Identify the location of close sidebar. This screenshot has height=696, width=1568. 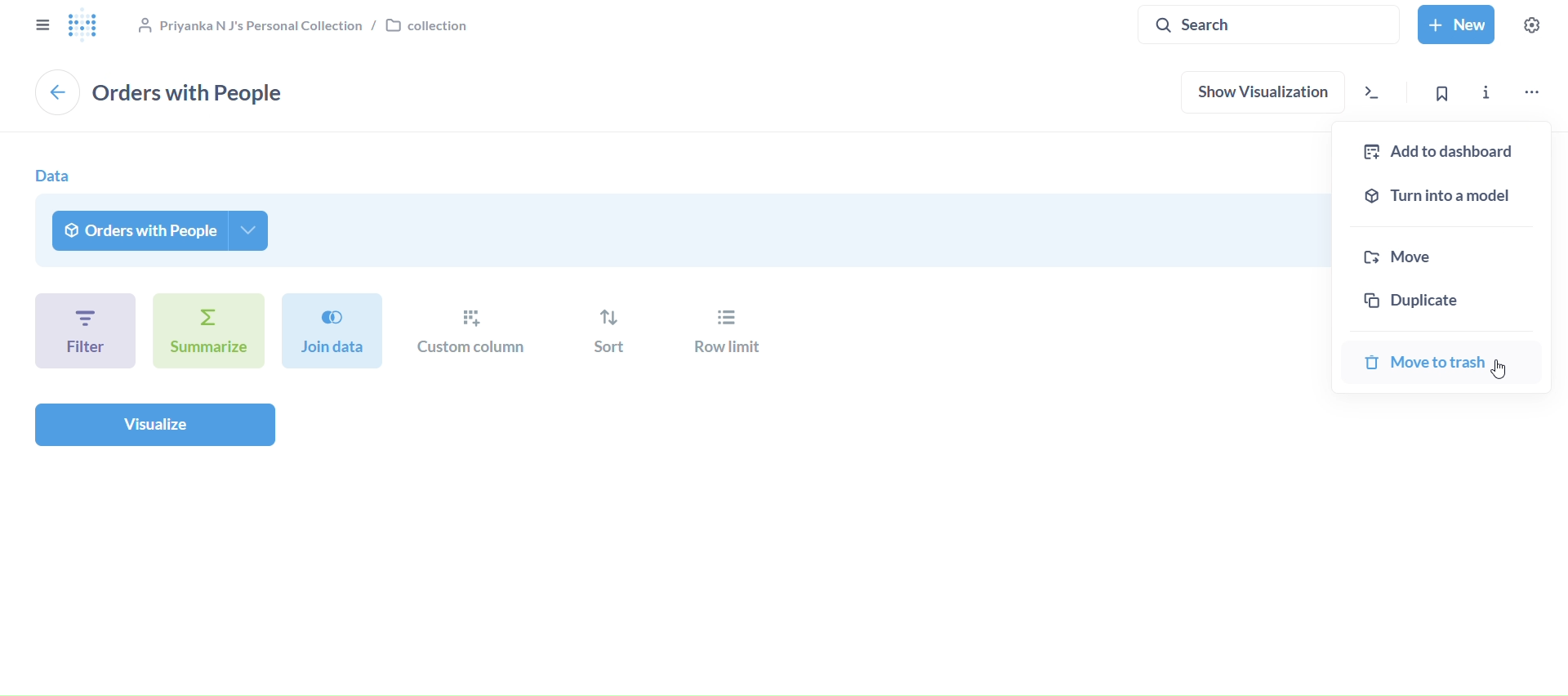
(42, 25).